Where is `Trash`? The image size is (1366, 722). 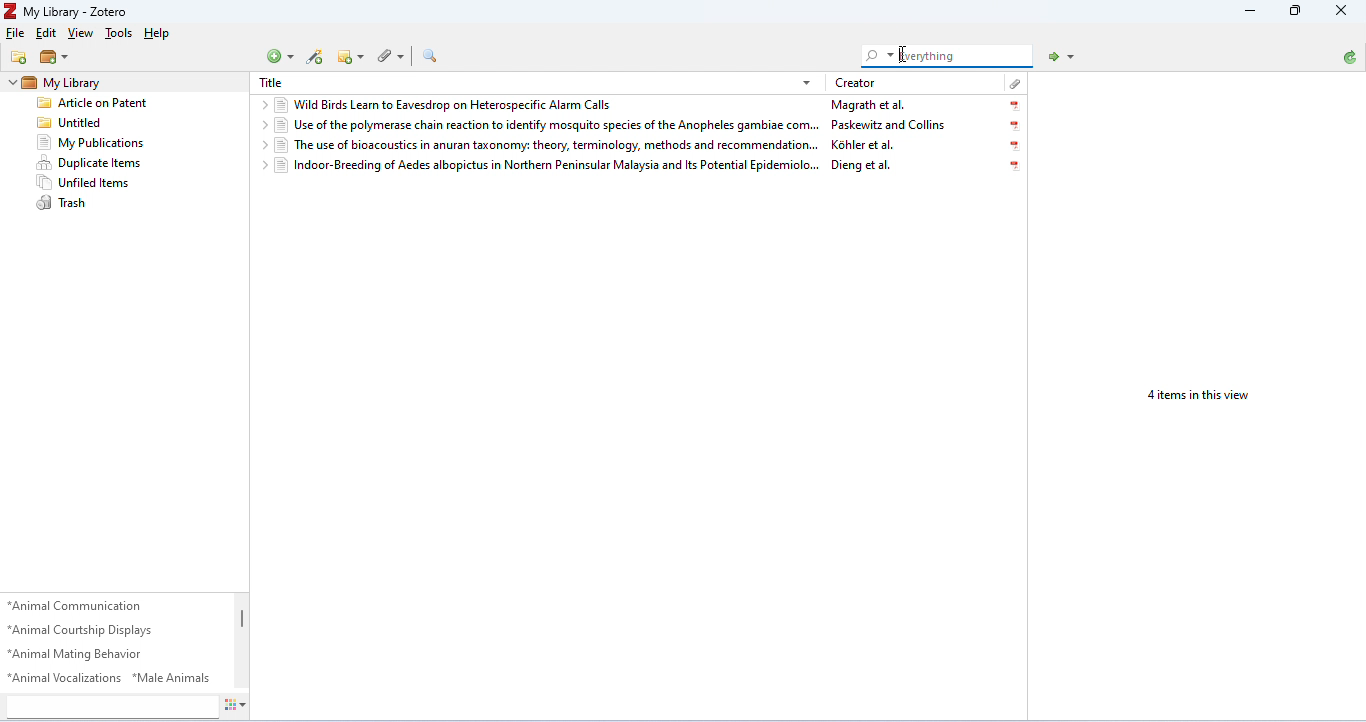 Trash is located at coordinates (108, 204).